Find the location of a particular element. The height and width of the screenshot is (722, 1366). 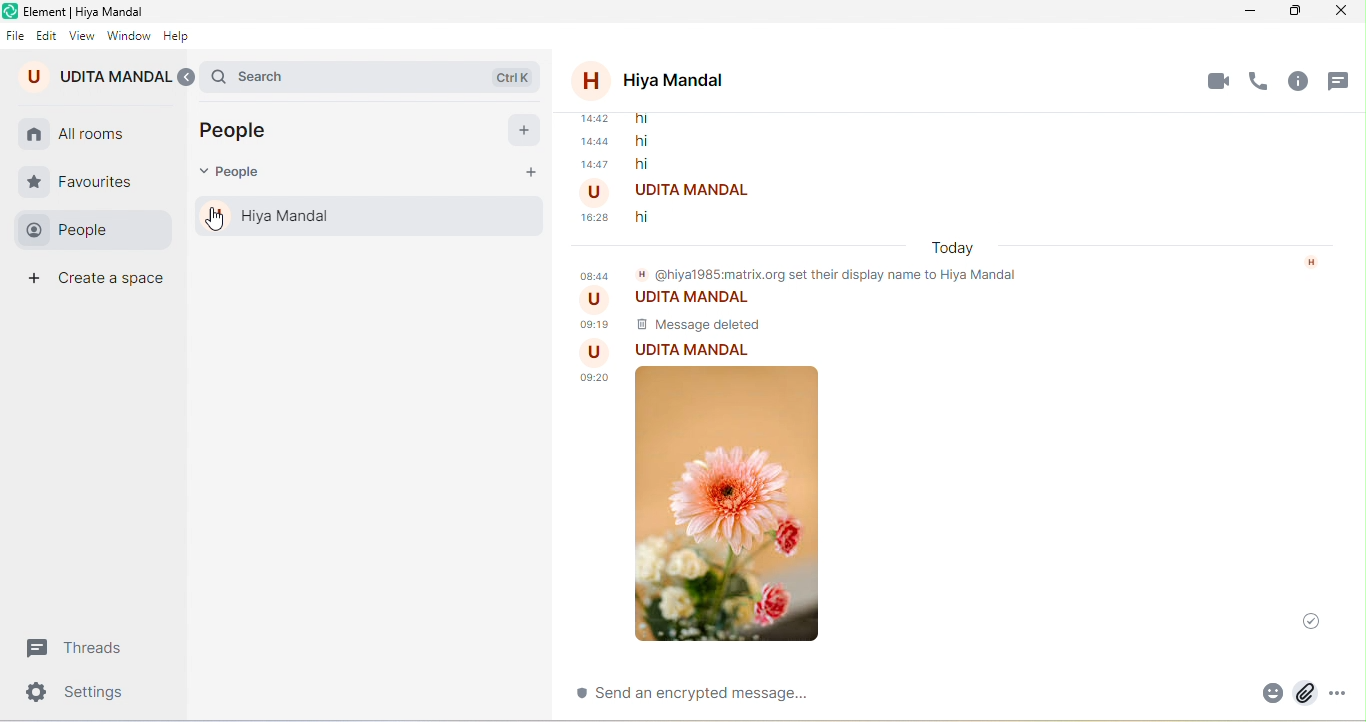

start chat is located at coordinates (522, 130).